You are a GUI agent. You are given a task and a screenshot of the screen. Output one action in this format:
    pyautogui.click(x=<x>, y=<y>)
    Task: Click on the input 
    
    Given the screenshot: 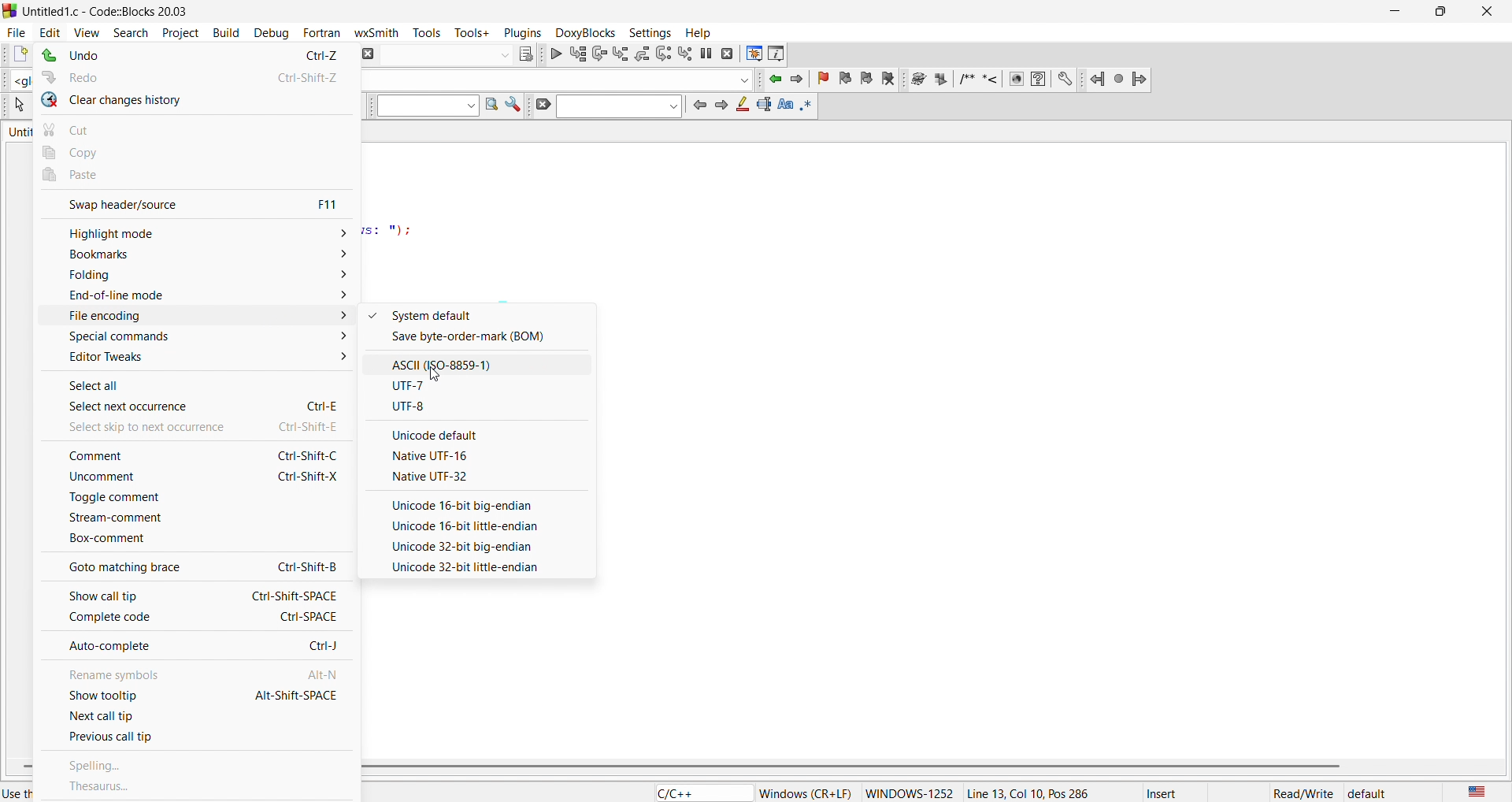 What is the action you would take?
    pyautogui.click(x=448, y=57)
    